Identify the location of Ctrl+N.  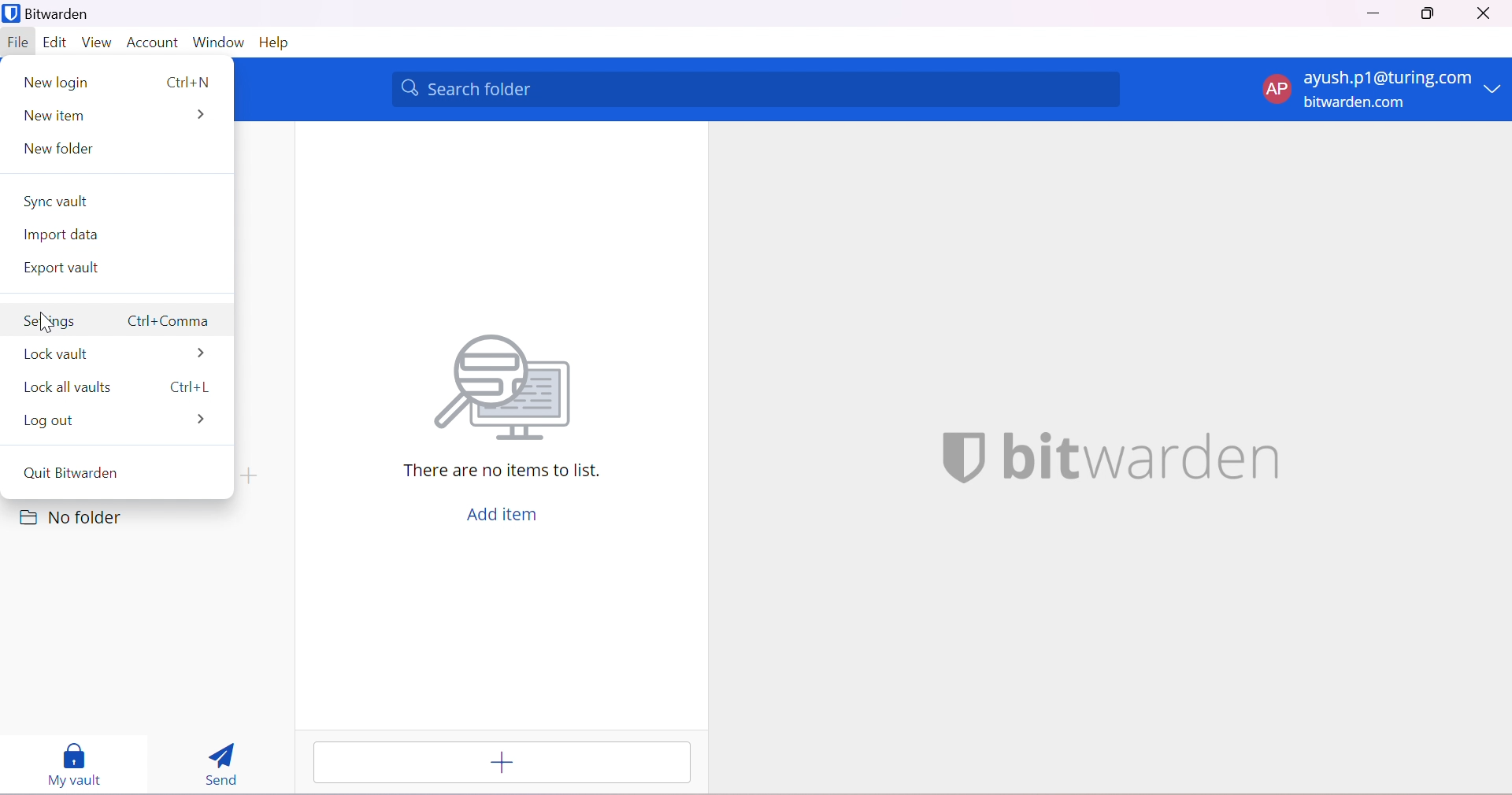
(190, 83).